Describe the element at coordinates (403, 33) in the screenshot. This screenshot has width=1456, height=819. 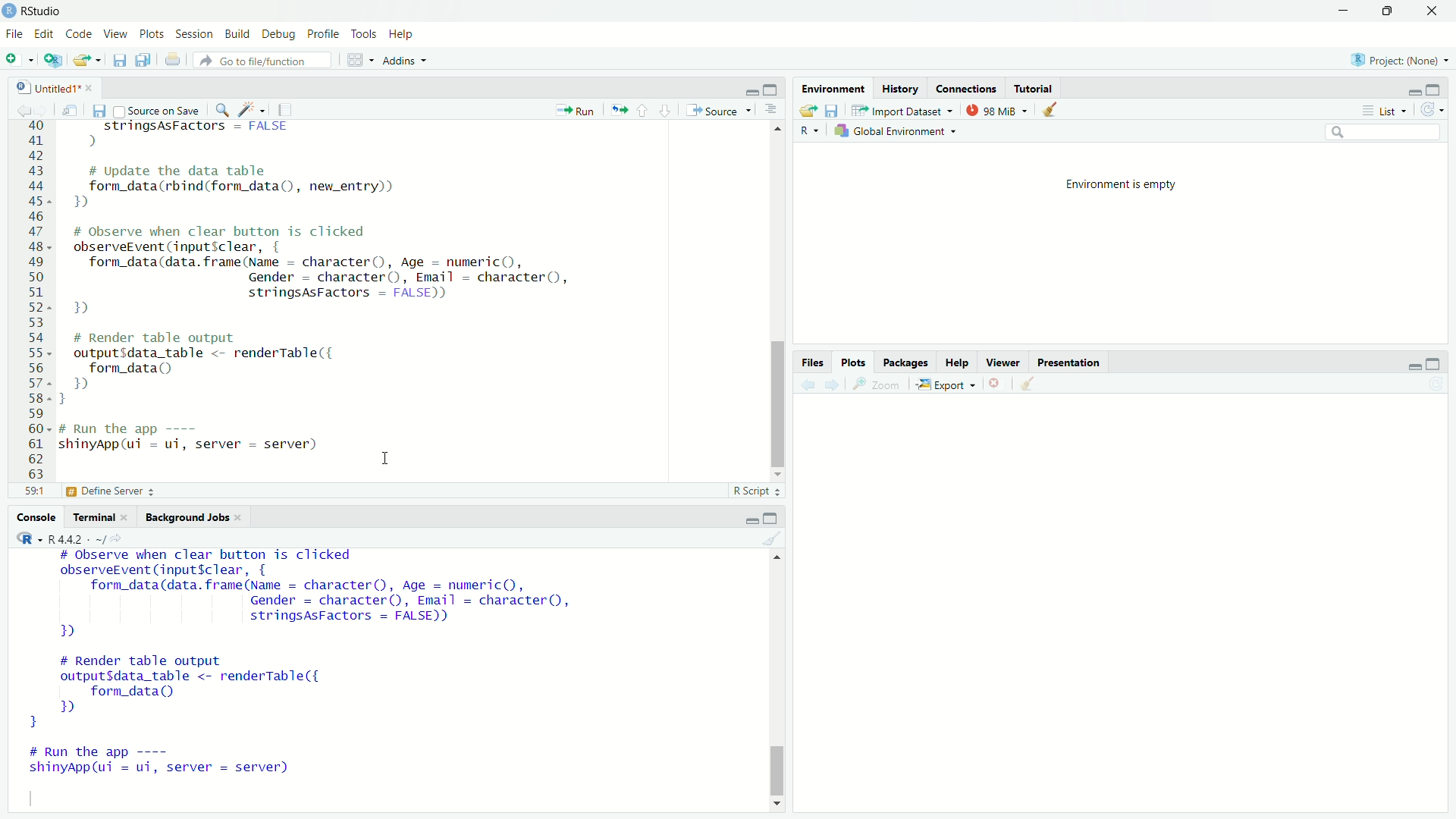
I see `Help` at that location.